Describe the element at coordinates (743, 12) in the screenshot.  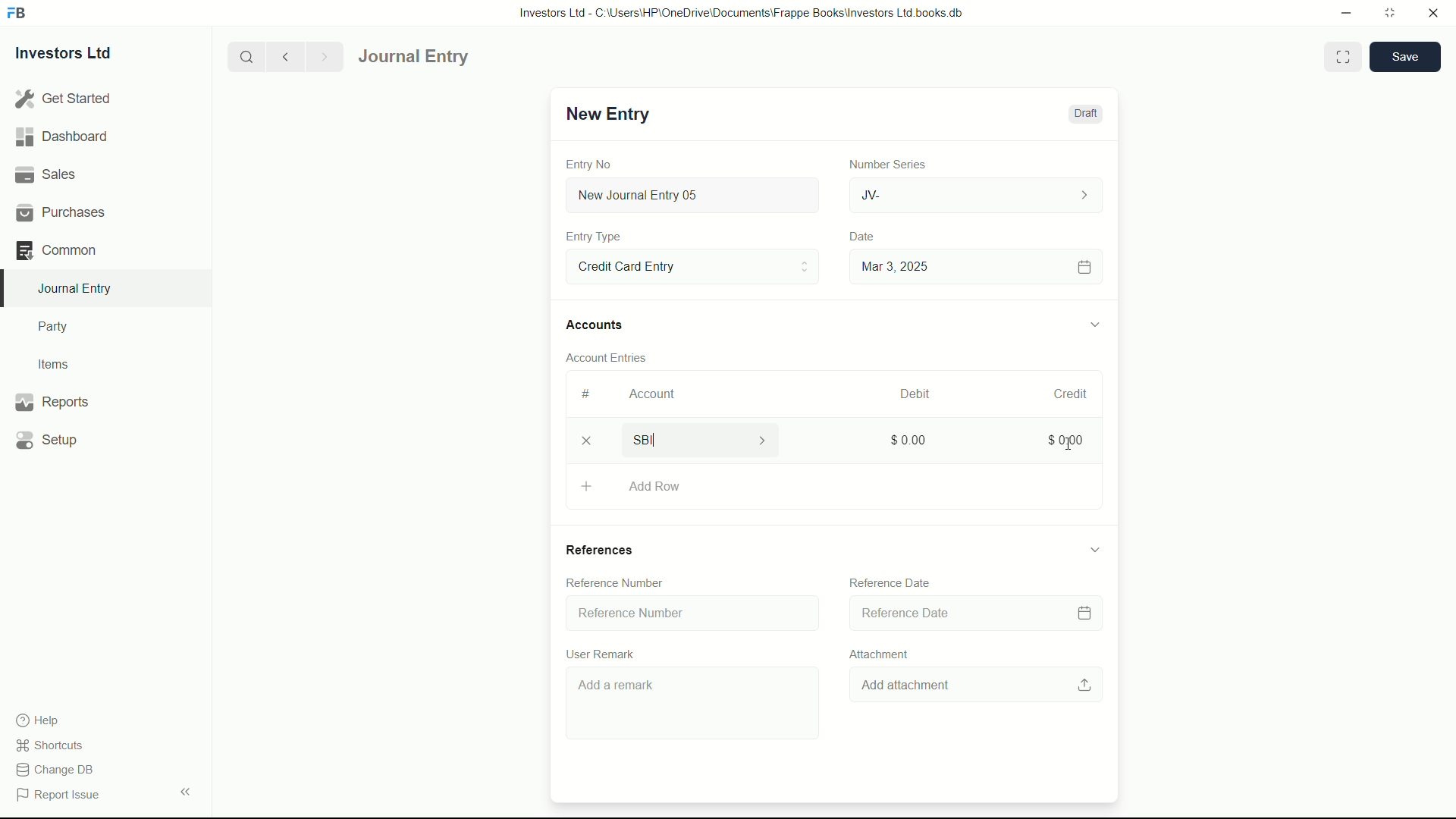
I see `Investors Ltd - C:\Users\HP\OneDrive\Documents\Frappe Books\Investors Ltd books.db` at that location.